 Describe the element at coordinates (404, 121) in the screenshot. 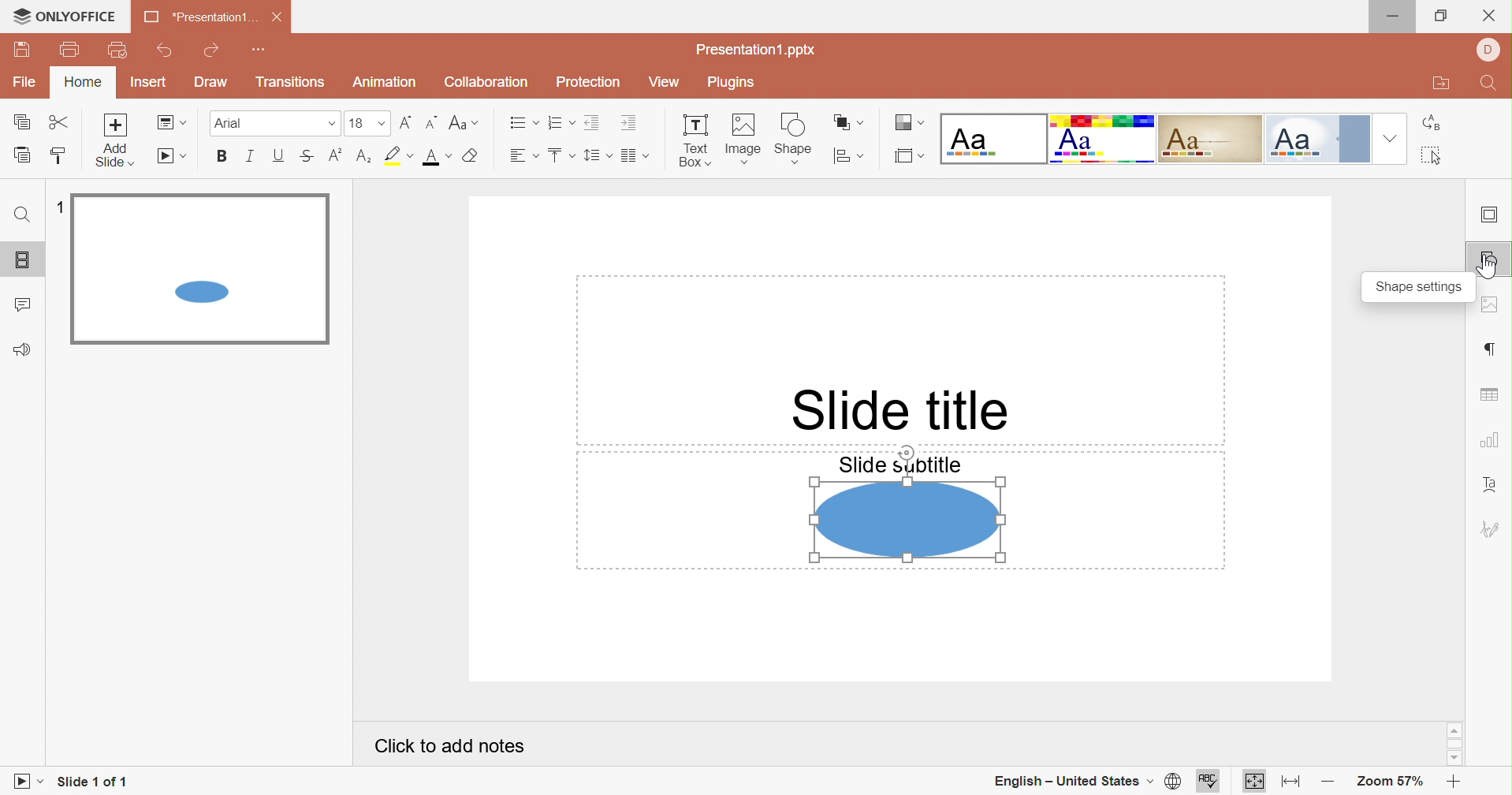

I see `Increment font size` at that location.